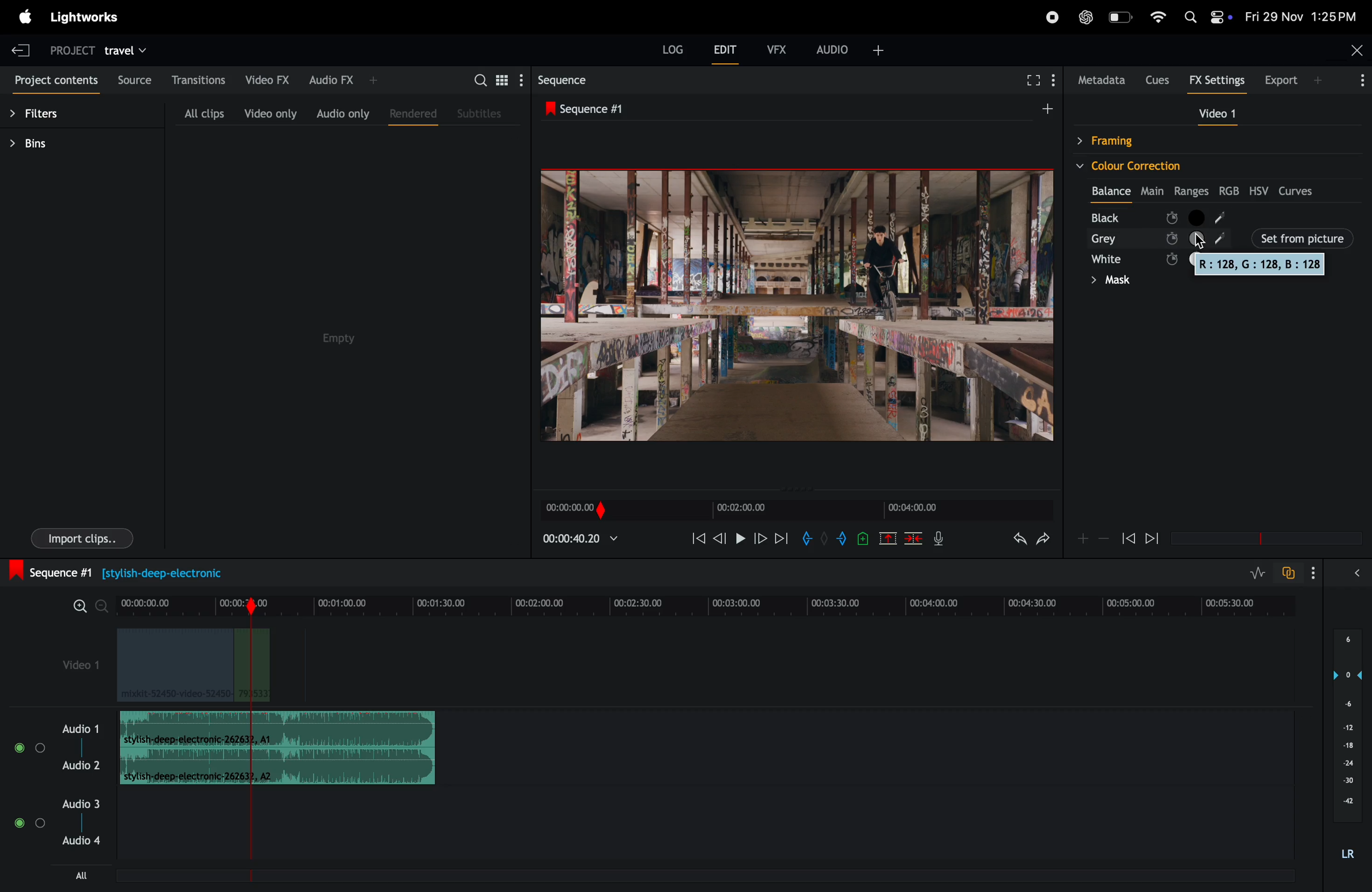 This screenshot has width=1372, height=892. What do you see at coordinates (42, 144) in the screenshot?
I see `bins` at bounding box center [42, 144].